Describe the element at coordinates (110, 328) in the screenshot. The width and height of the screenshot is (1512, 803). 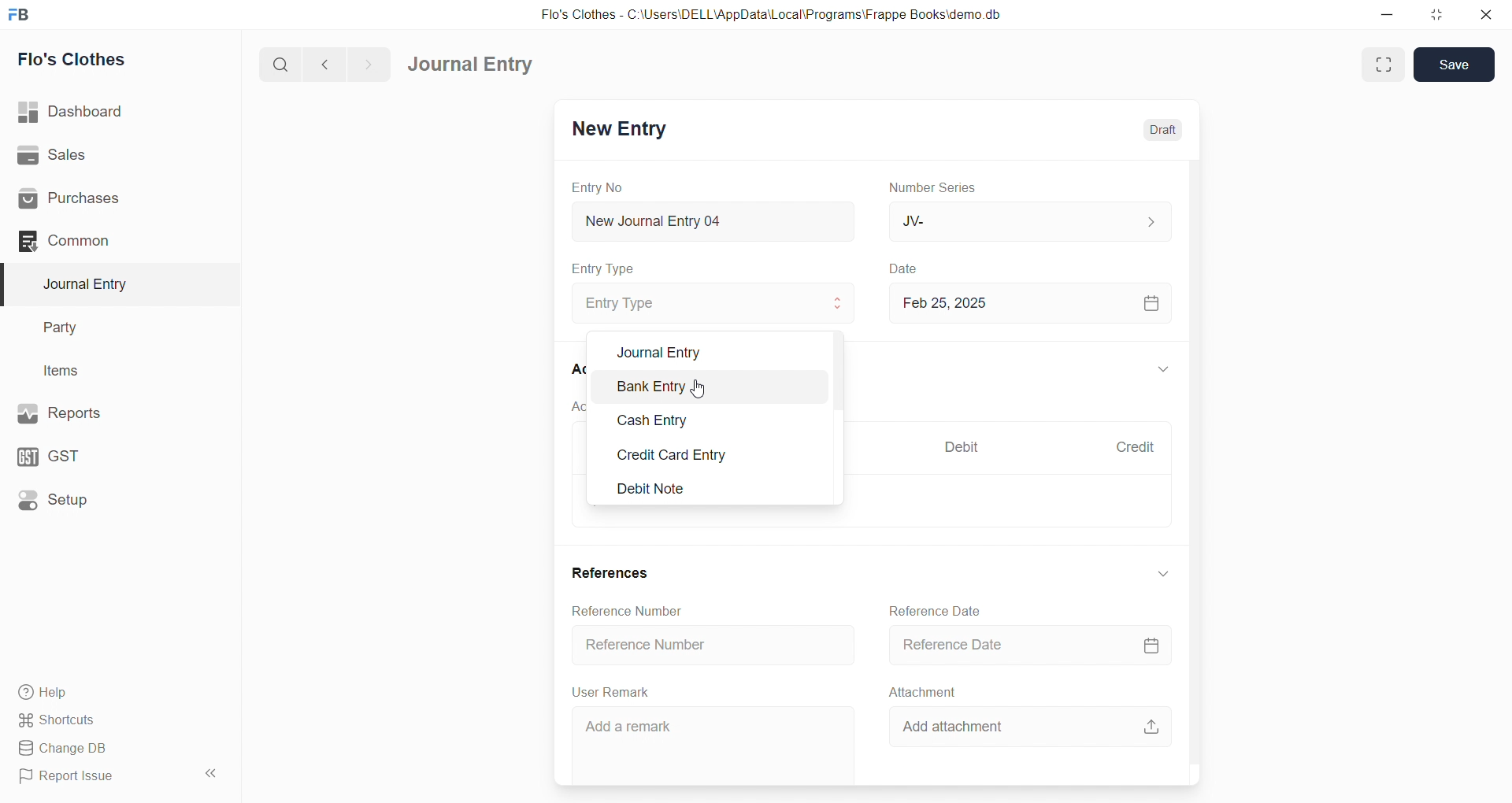
I see `Party` at that location.